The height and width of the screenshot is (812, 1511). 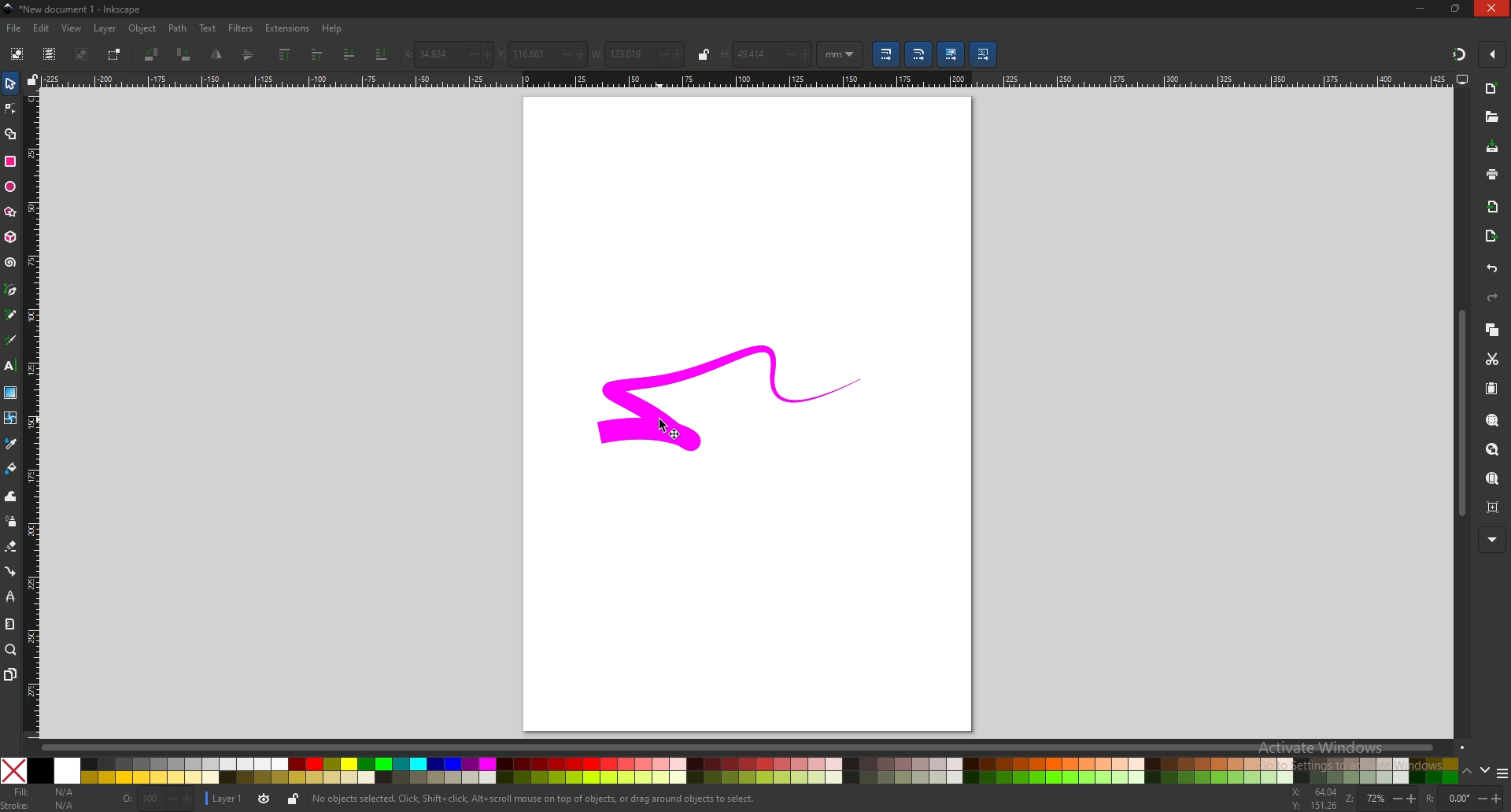 I want to click on raise to top, so click(x=286, y=54).